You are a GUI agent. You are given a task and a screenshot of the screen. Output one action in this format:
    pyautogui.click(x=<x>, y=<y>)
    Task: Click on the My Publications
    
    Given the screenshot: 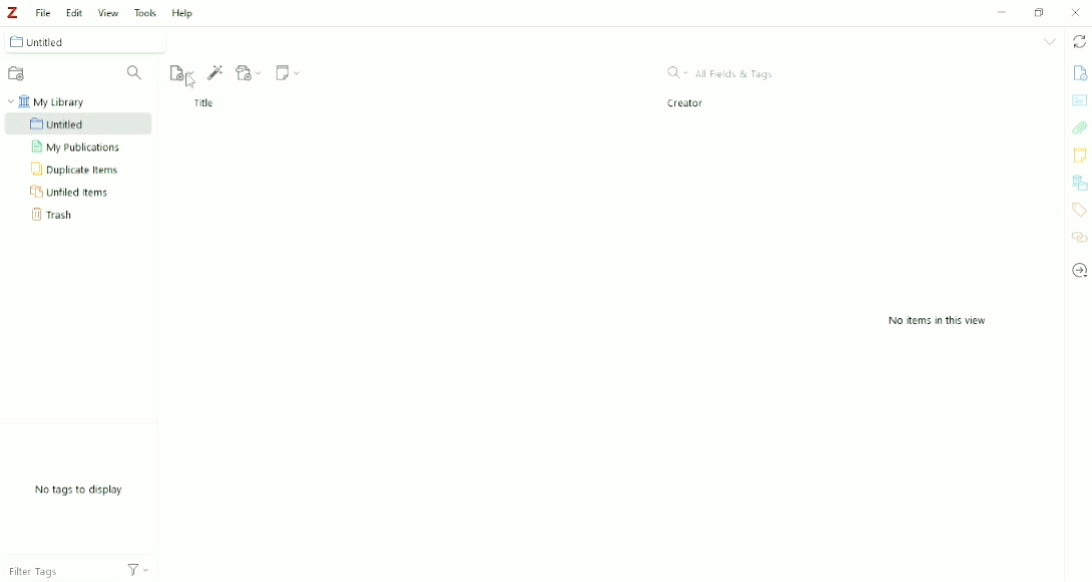 What is the action you would take?
    pyautogui.click(x=76, y=147)
    